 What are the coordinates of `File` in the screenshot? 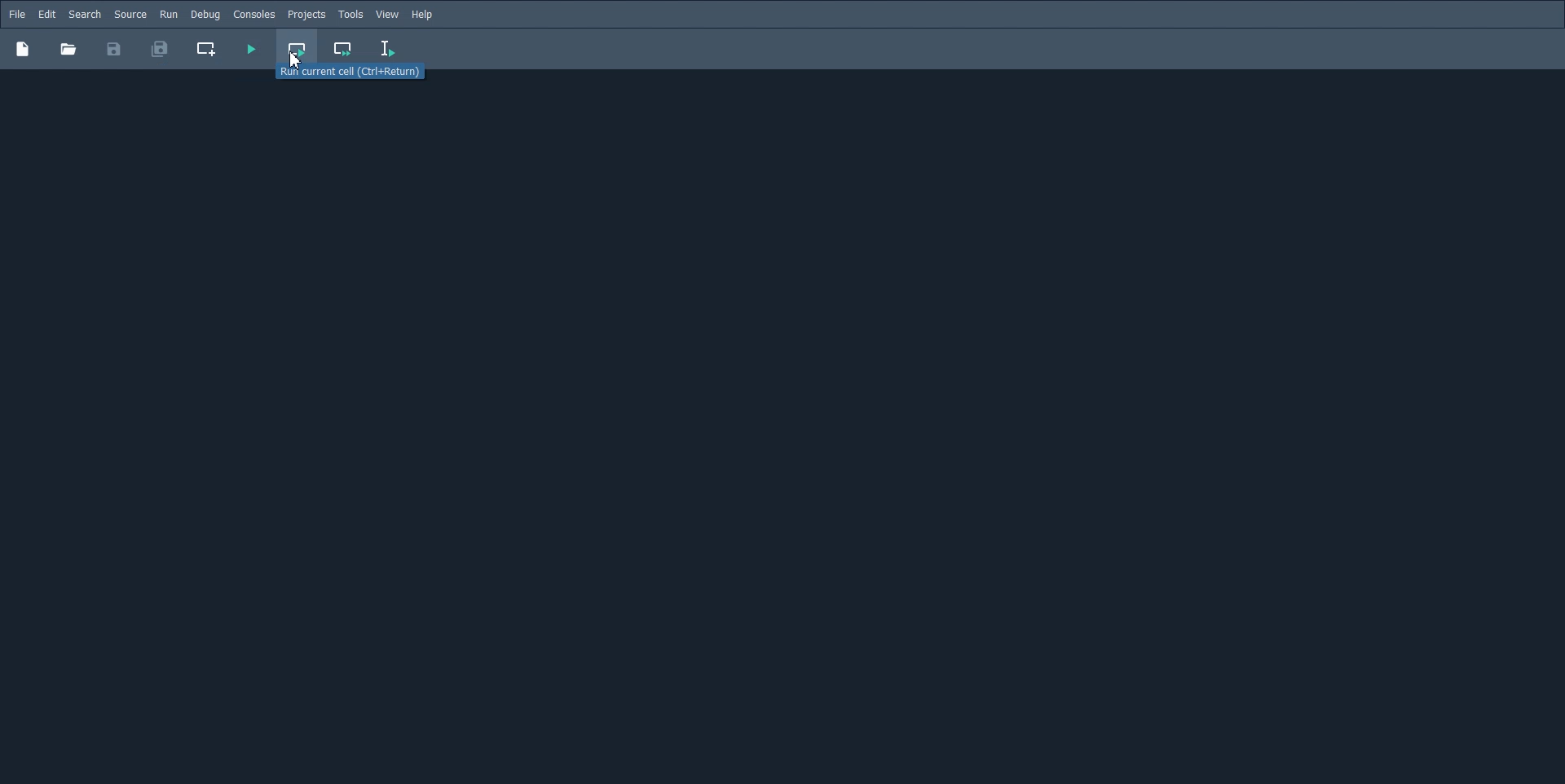 It's located at (17, 14).